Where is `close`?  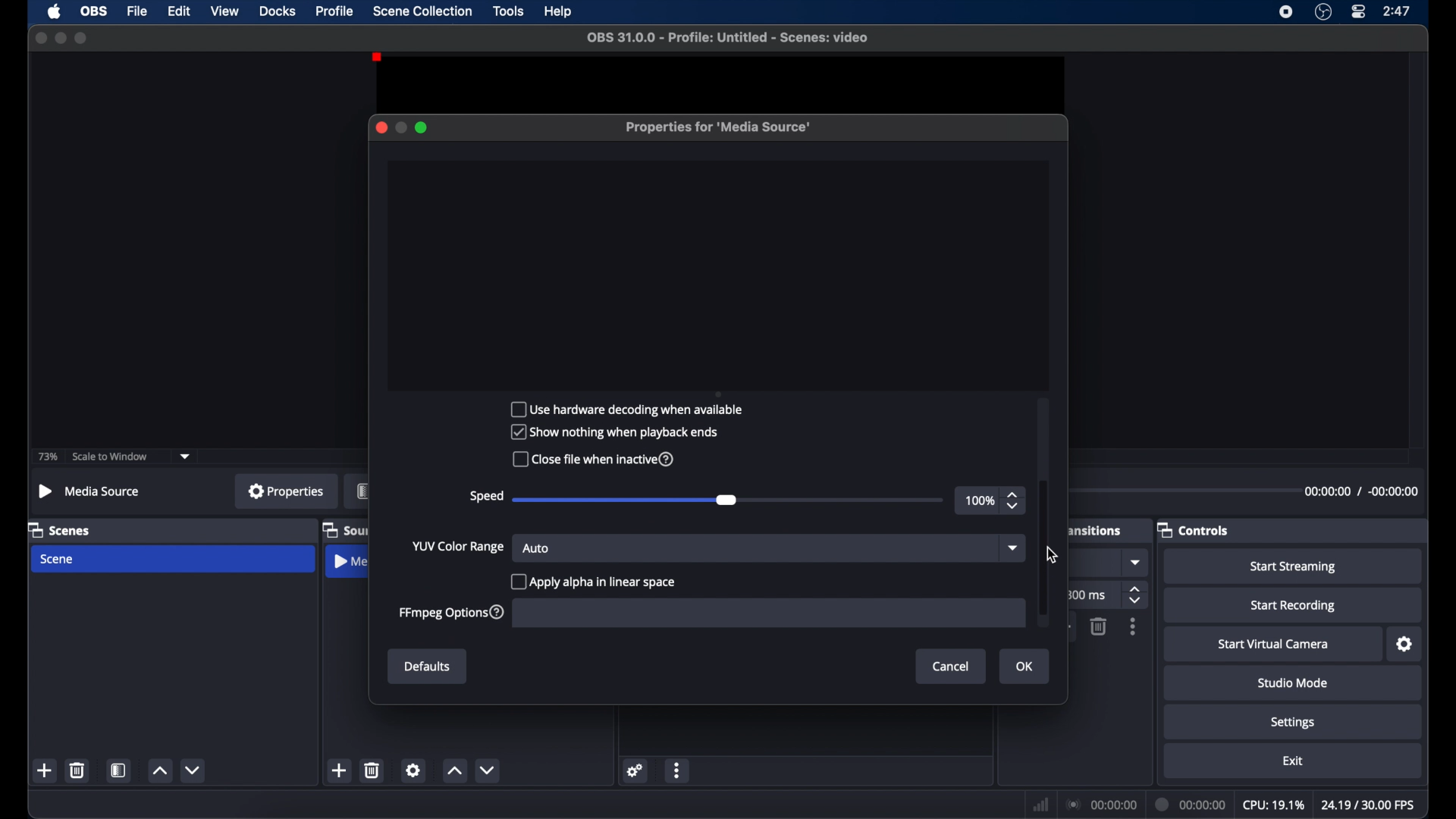 close is located at coordinates (40, 37).